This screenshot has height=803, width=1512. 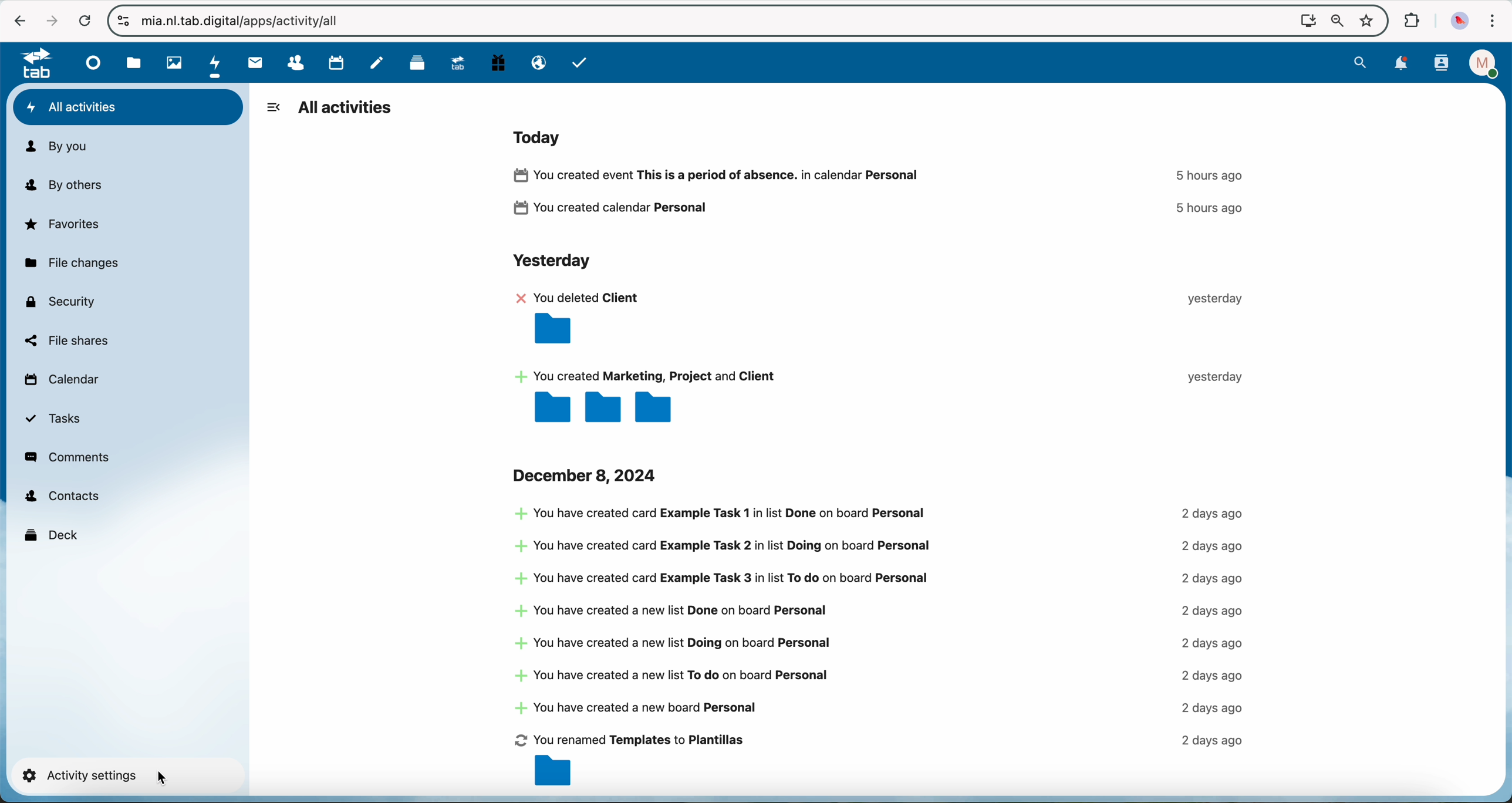 I want to click on email, so click(x=538, y=63).